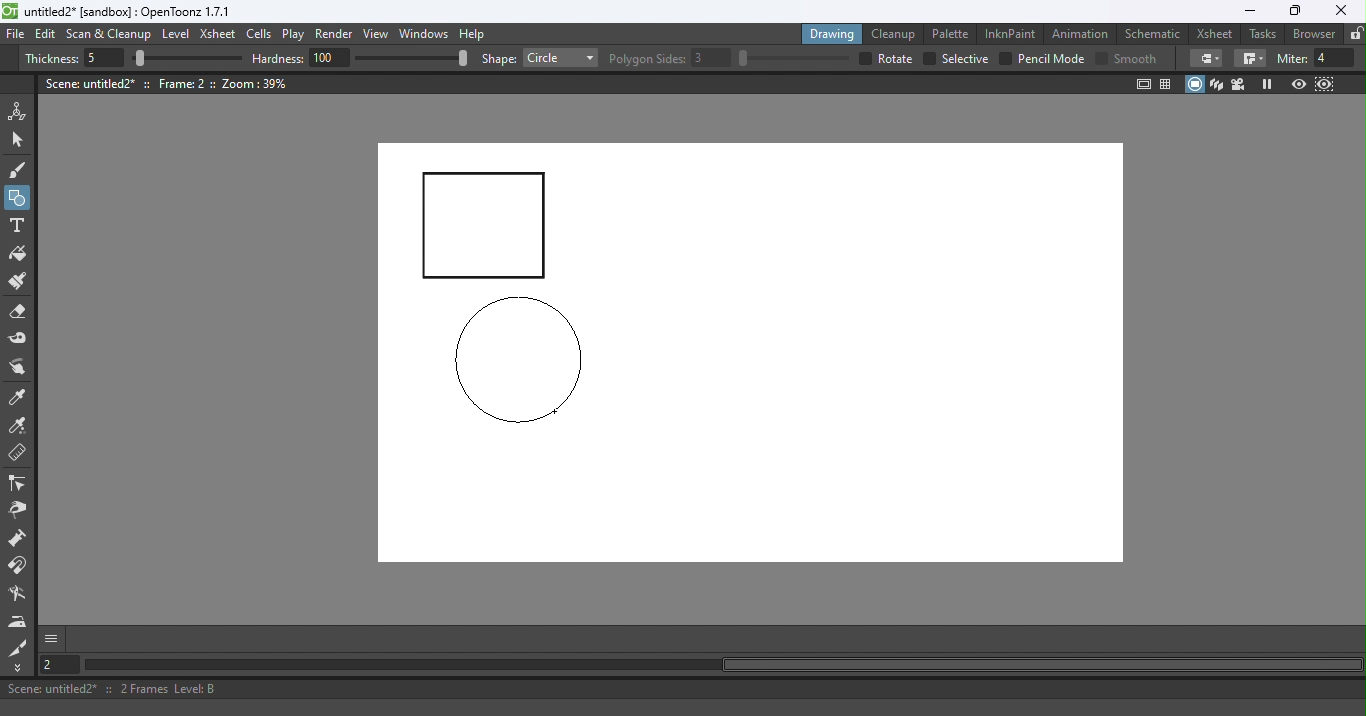  I want to click on Preview, so click(1298, 85).